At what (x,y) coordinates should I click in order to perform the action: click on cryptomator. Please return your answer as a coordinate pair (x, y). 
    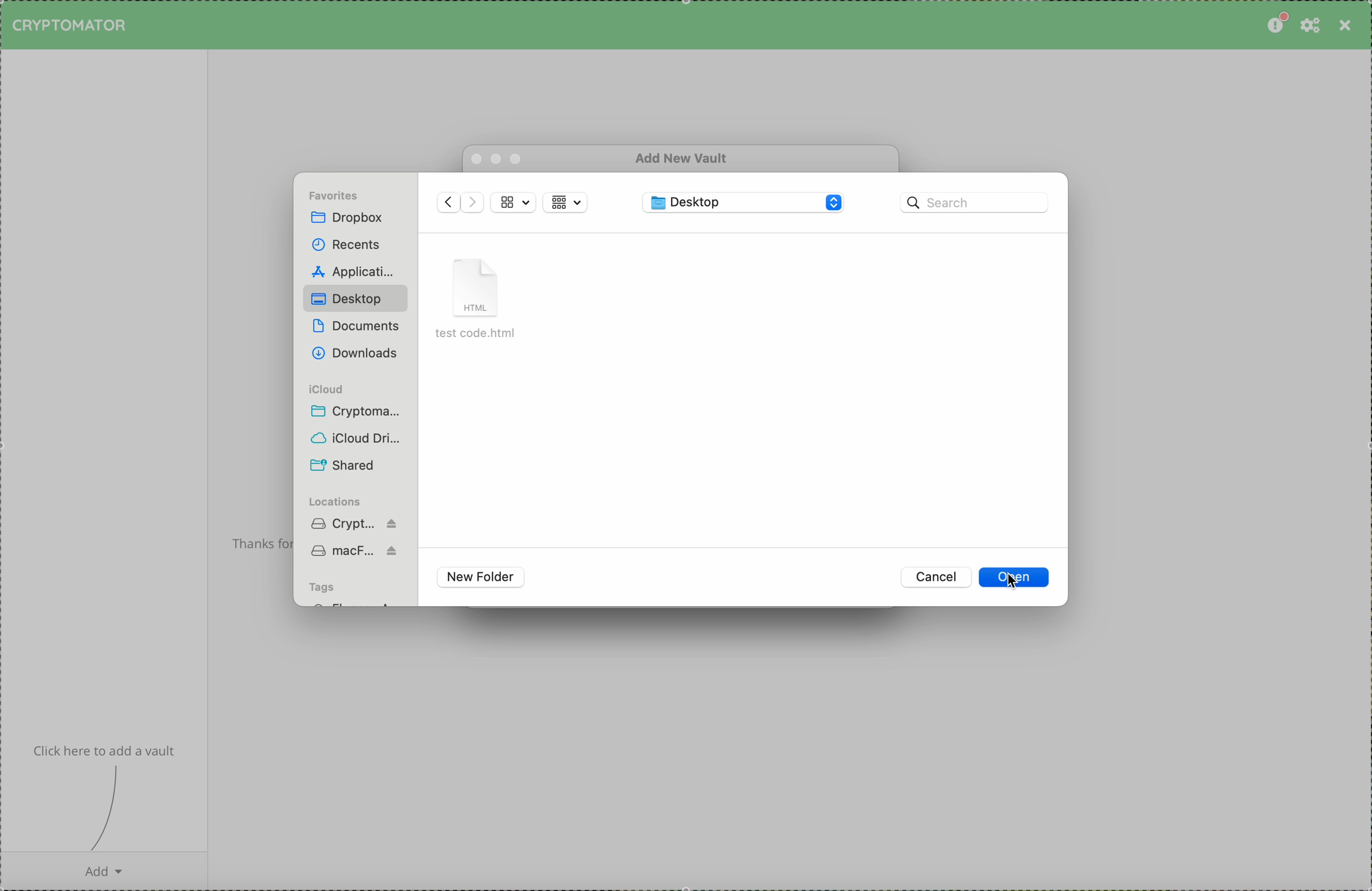
    Looking at the image, I should click on (74, 23).